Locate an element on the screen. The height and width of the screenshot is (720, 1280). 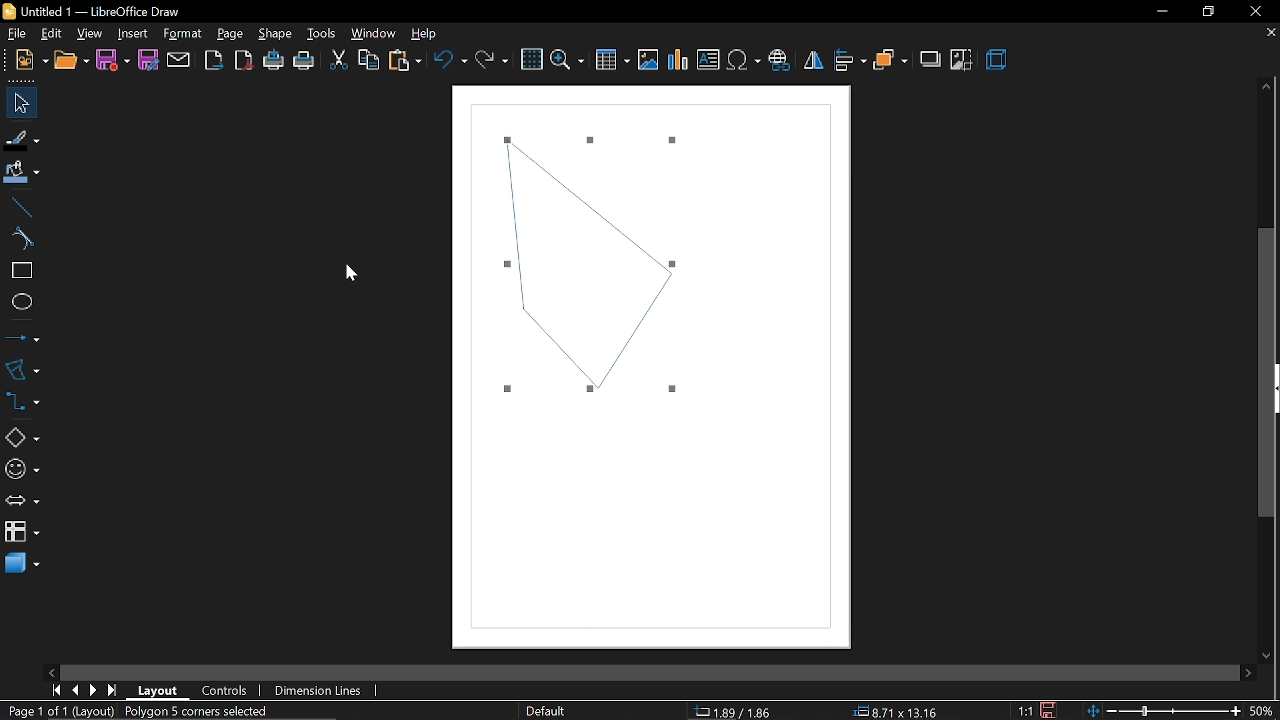
save is located at coordinates (113, 60).